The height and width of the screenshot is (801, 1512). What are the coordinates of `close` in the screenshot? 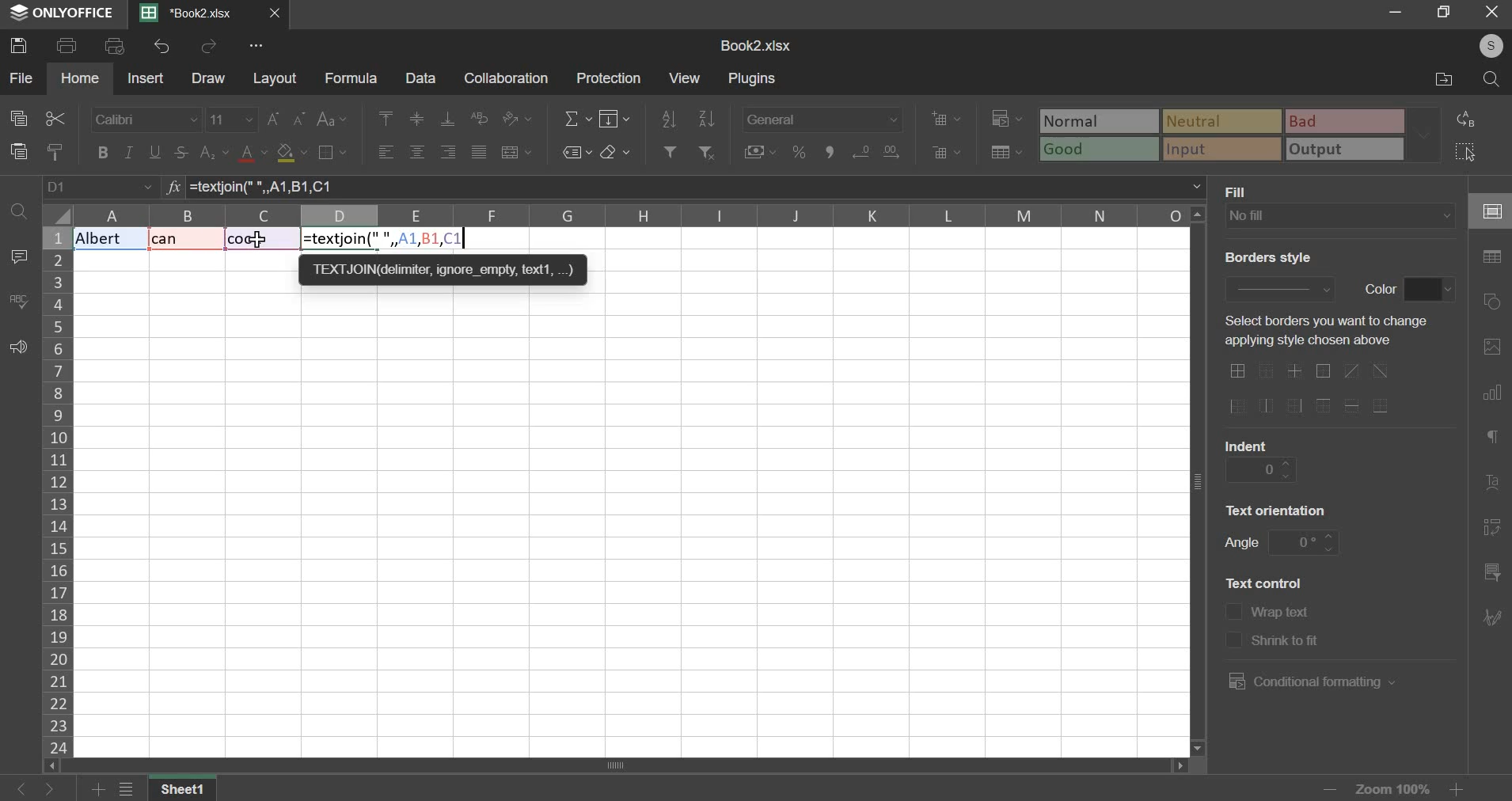 It's located at (1491, 13).